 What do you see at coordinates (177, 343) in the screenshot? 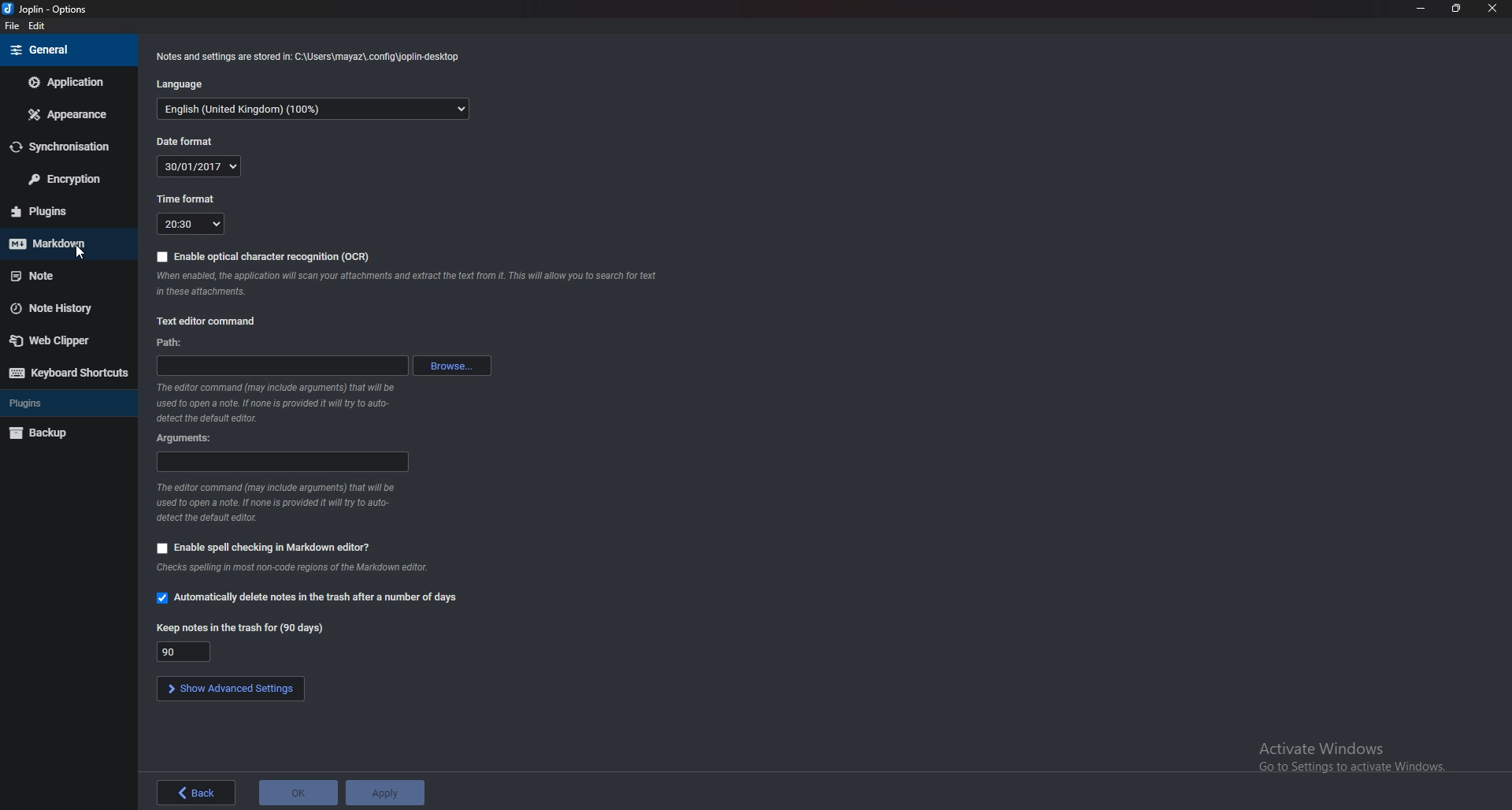
I see `path` at bounding box center [177, 343].